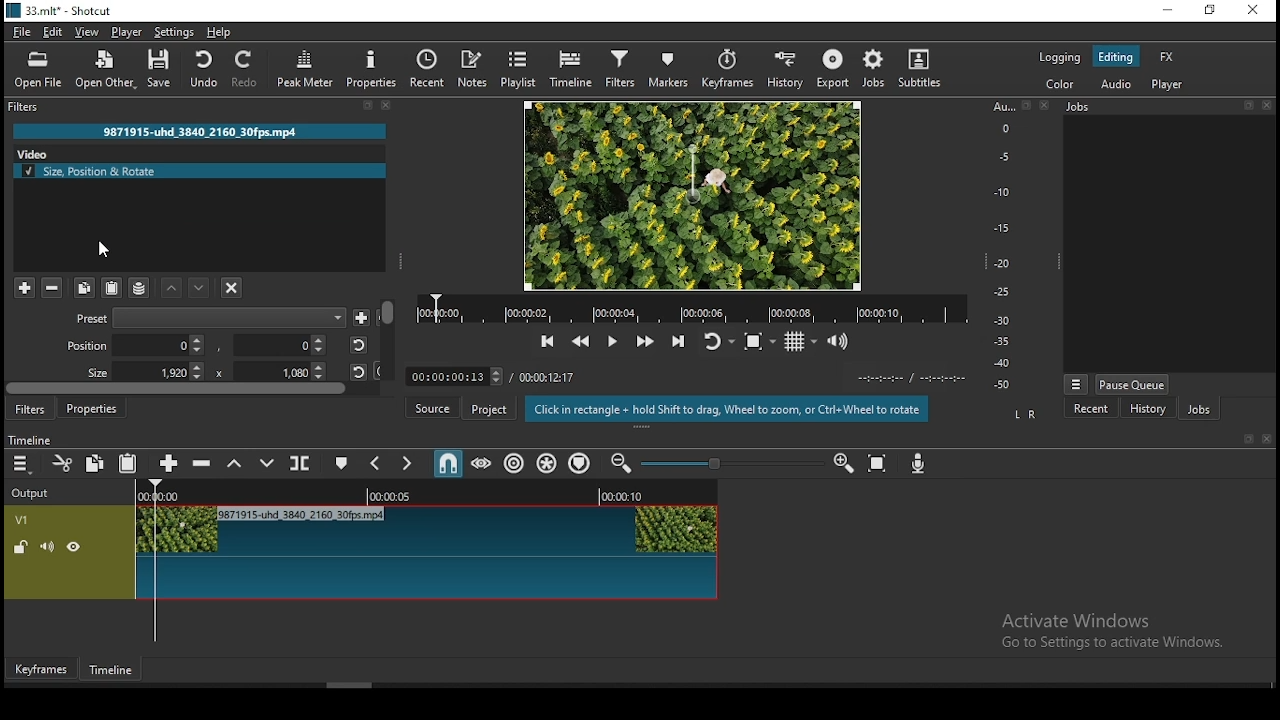  What do you see at coordinates (430, 68) in the screenshot?
I see `recent` at bounding box center [430, 68].